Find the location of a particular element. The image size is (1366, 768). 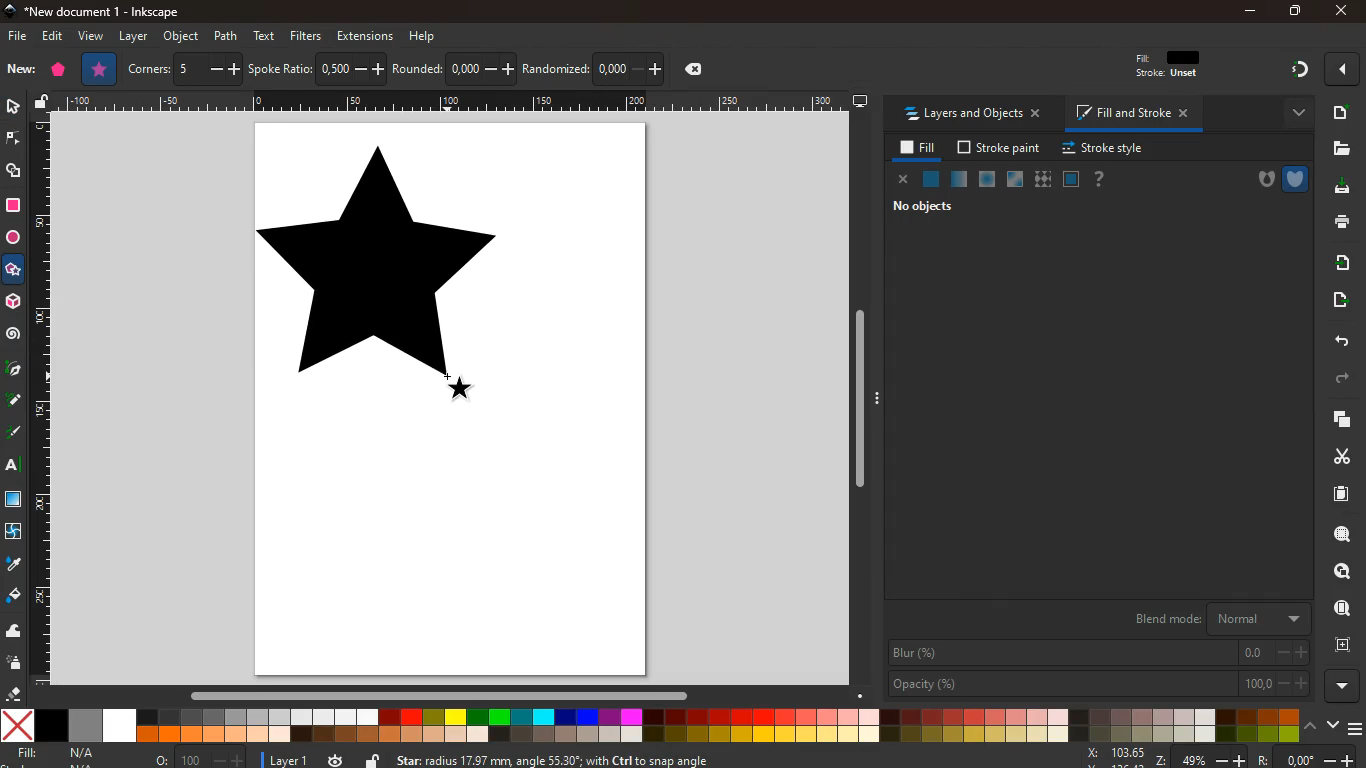

zoom is located at coordinates (1214, 758).